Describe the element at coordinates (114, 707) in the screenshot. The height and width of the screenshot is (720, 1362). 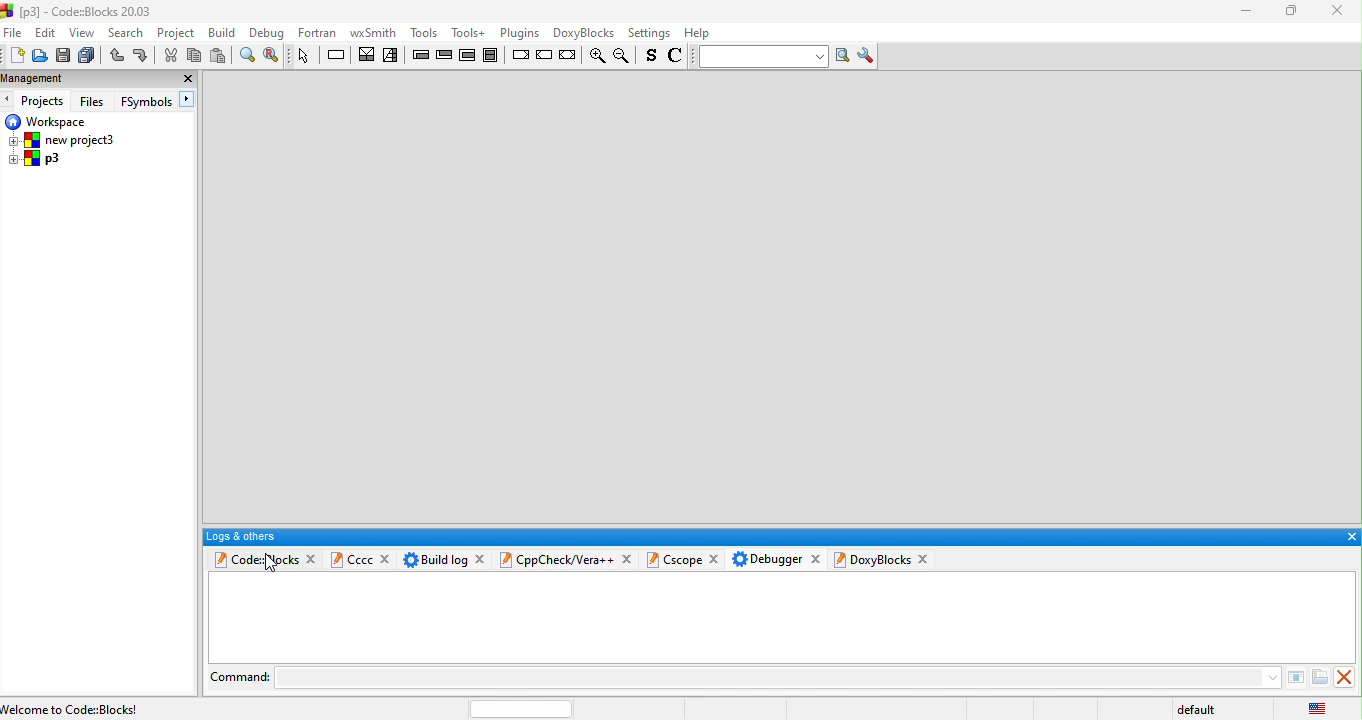
I see `welcome to blocks` at that location.